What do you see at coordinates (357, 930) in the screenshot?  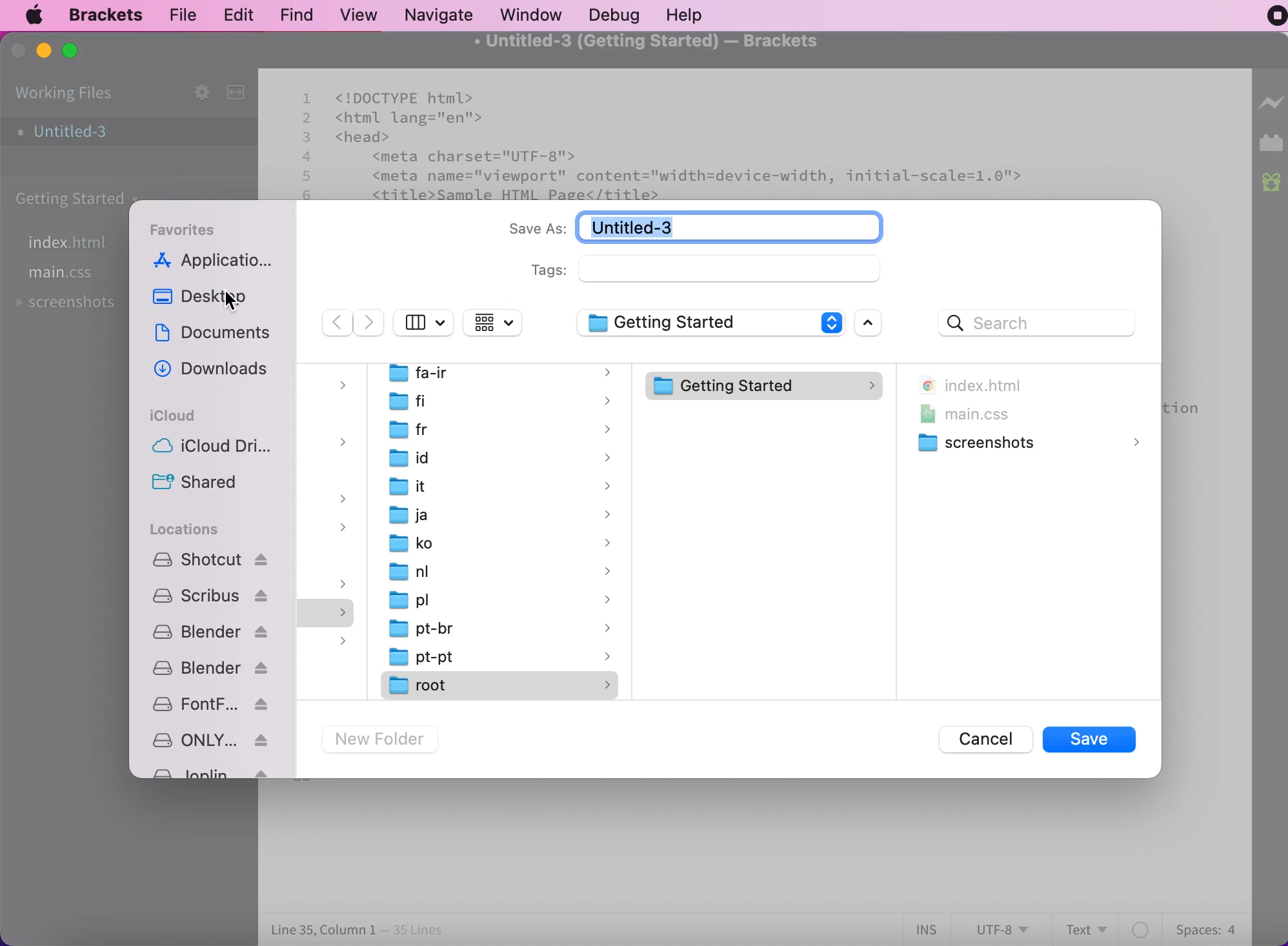 I see `line 35, column 1 - 35 lines` at bounding box center [357, 930].